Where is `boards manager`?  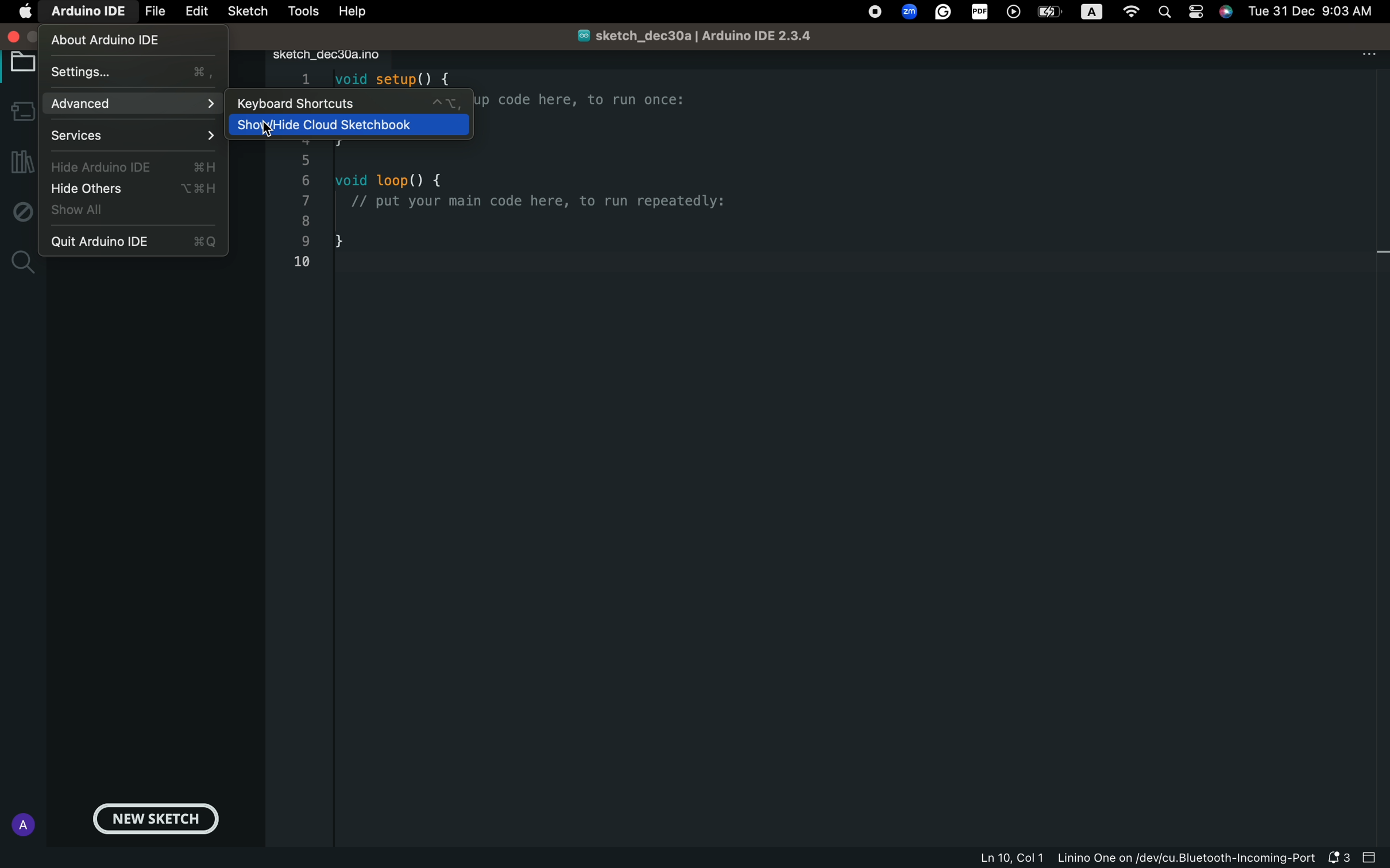 boards manager is located at coordinates (21, 113).